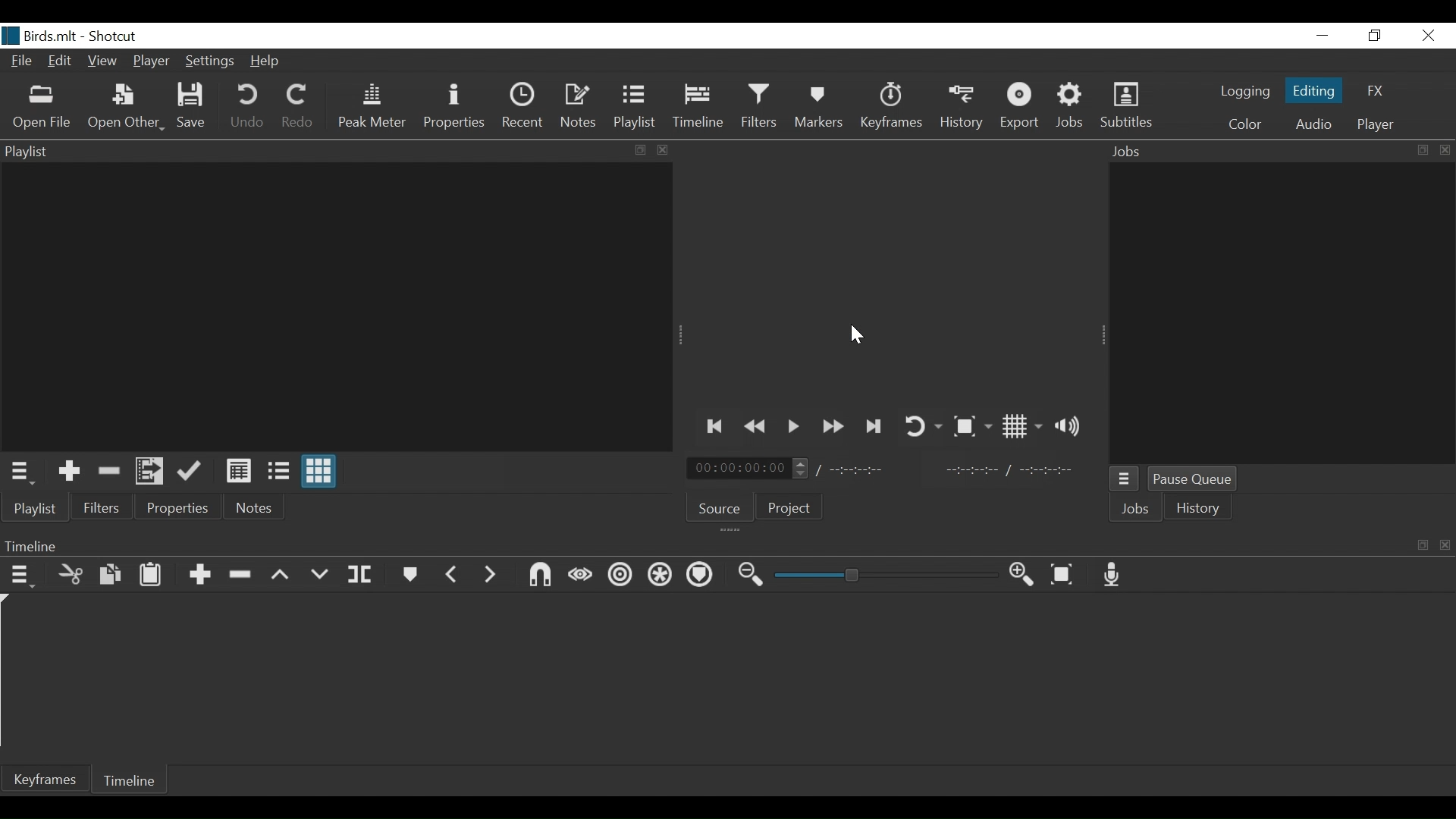  What do you see at coordinates (889, 271) in the screenshot?
I see `Media Viewer` at bounding box center [889, 271].